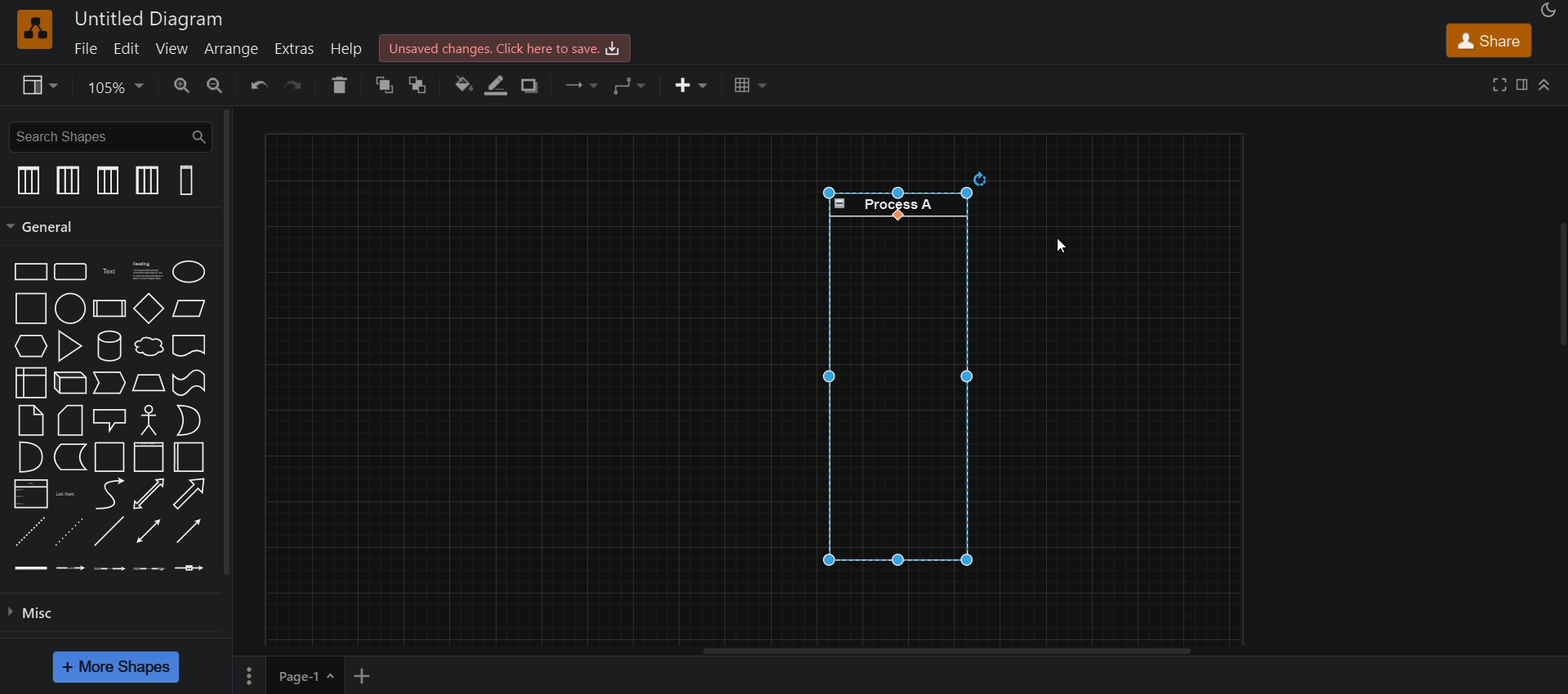 The width and height of the screenshot is (1568, 694). Describe the element at coordinates (747, 84) in the screenshot. I see `table` at that location.